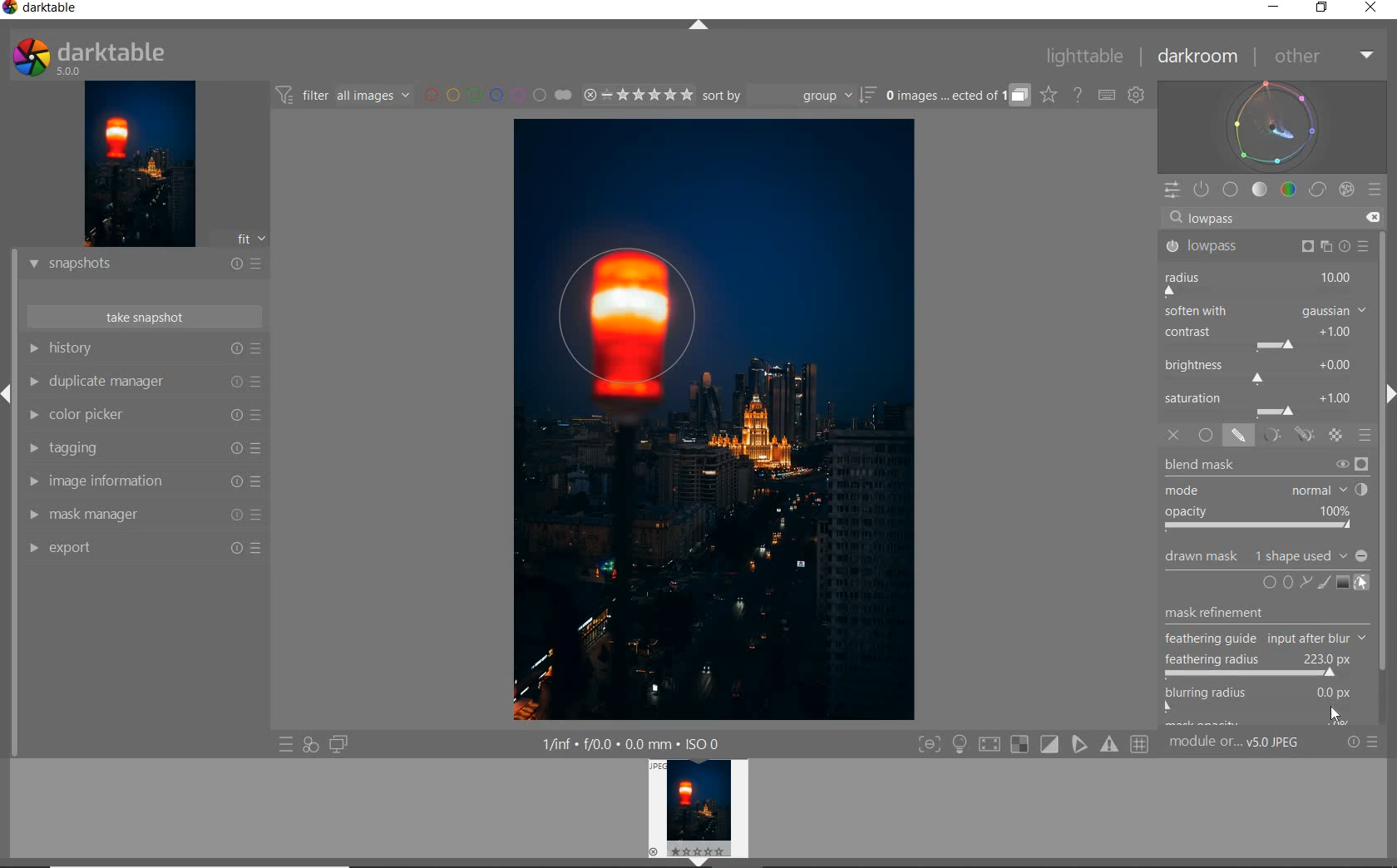 The width and height of the screenshot is (1397, 868). Describe the element at coordinates (1138, 96) in the screenshot. I see `SHOW GLOBAL PREFERENCES` at that location.